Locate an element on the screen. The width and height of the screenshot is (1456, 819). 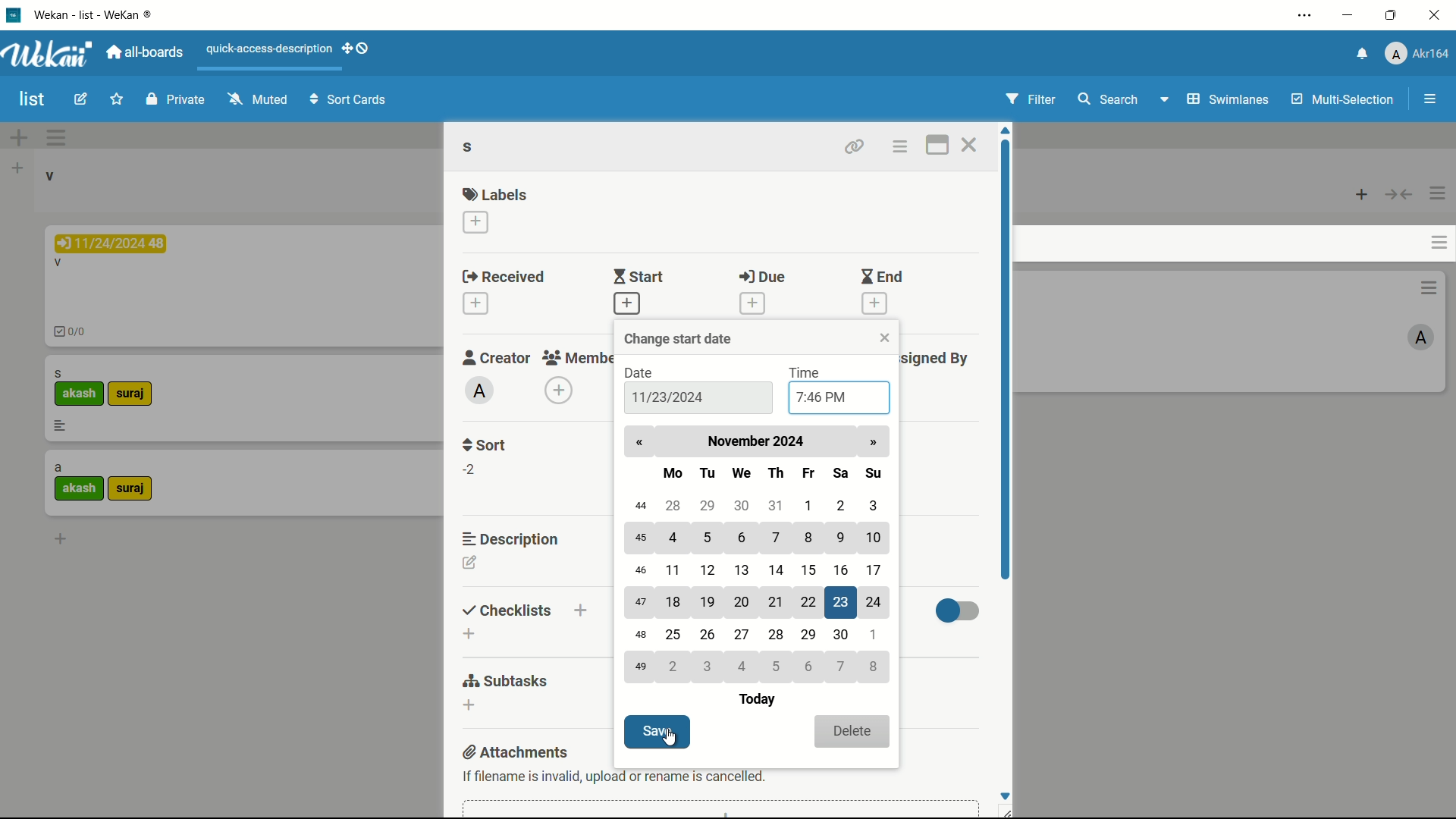
star this board is located at coordinates (116, 99).